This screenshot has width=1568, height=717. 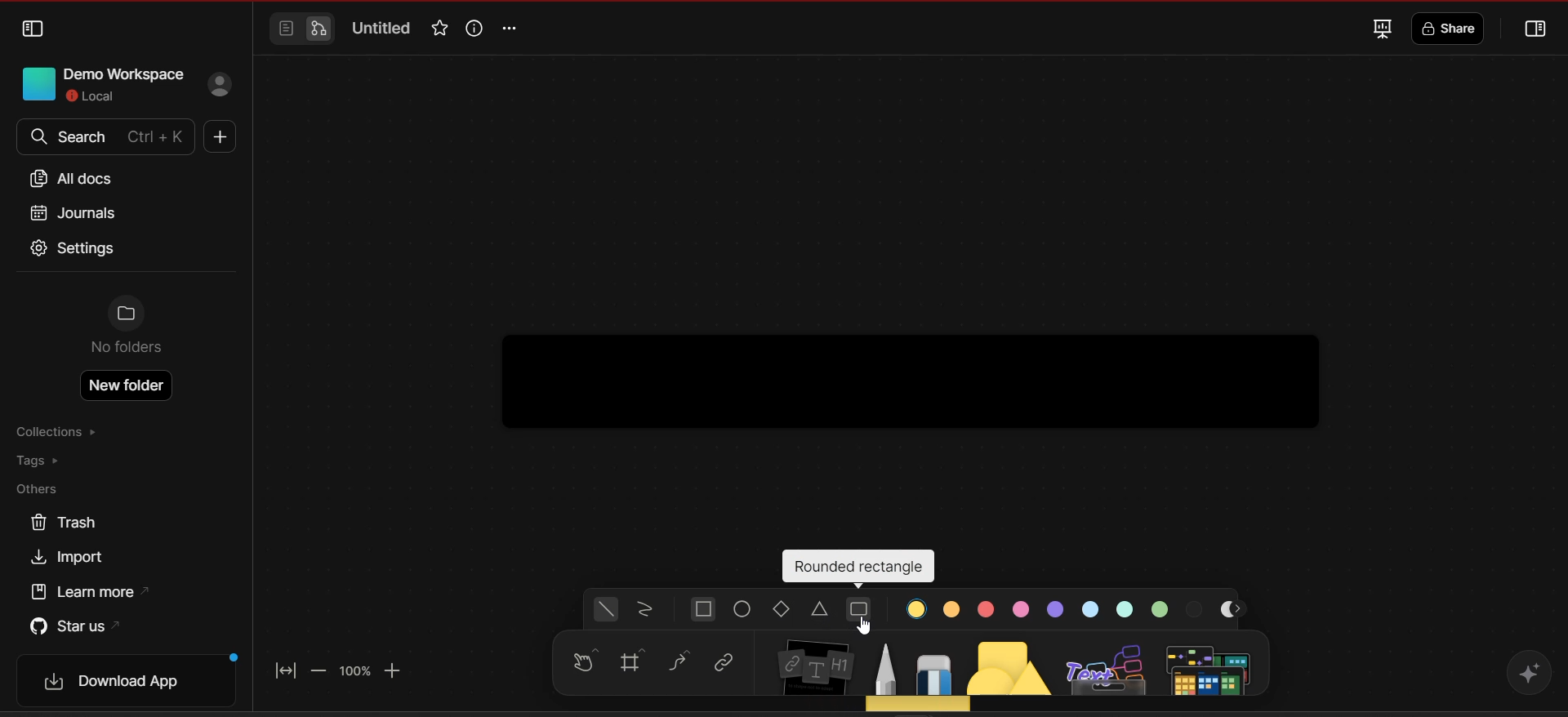 I want to click on additional tools, so click(x=1211, y=668).